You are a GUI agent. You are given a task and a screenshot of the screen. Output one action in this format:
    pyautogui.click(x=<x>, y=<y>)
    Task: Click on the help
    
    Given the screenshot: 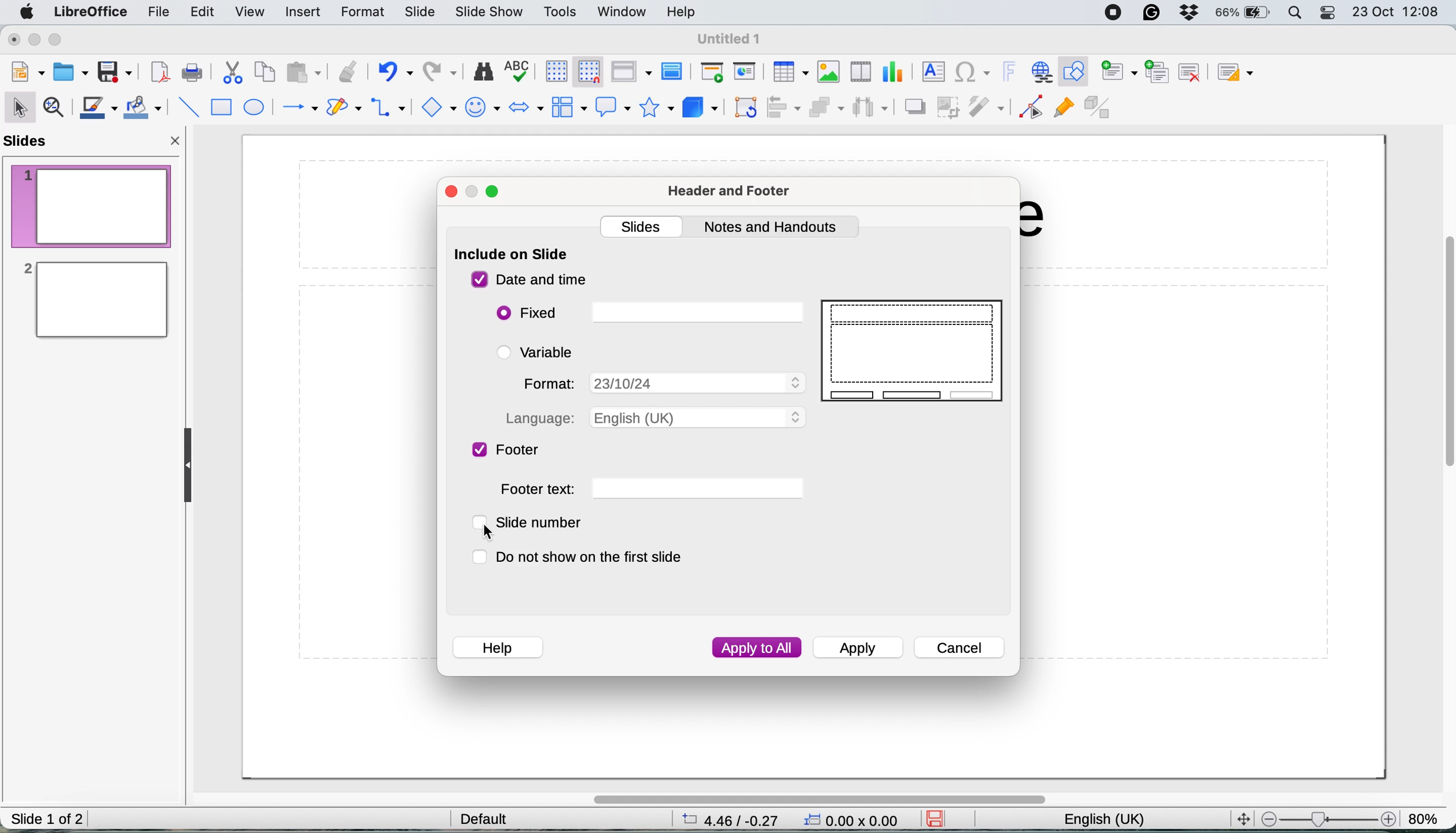 What is the action you would take?
    pyautogui.click(x=684, y=11)
    